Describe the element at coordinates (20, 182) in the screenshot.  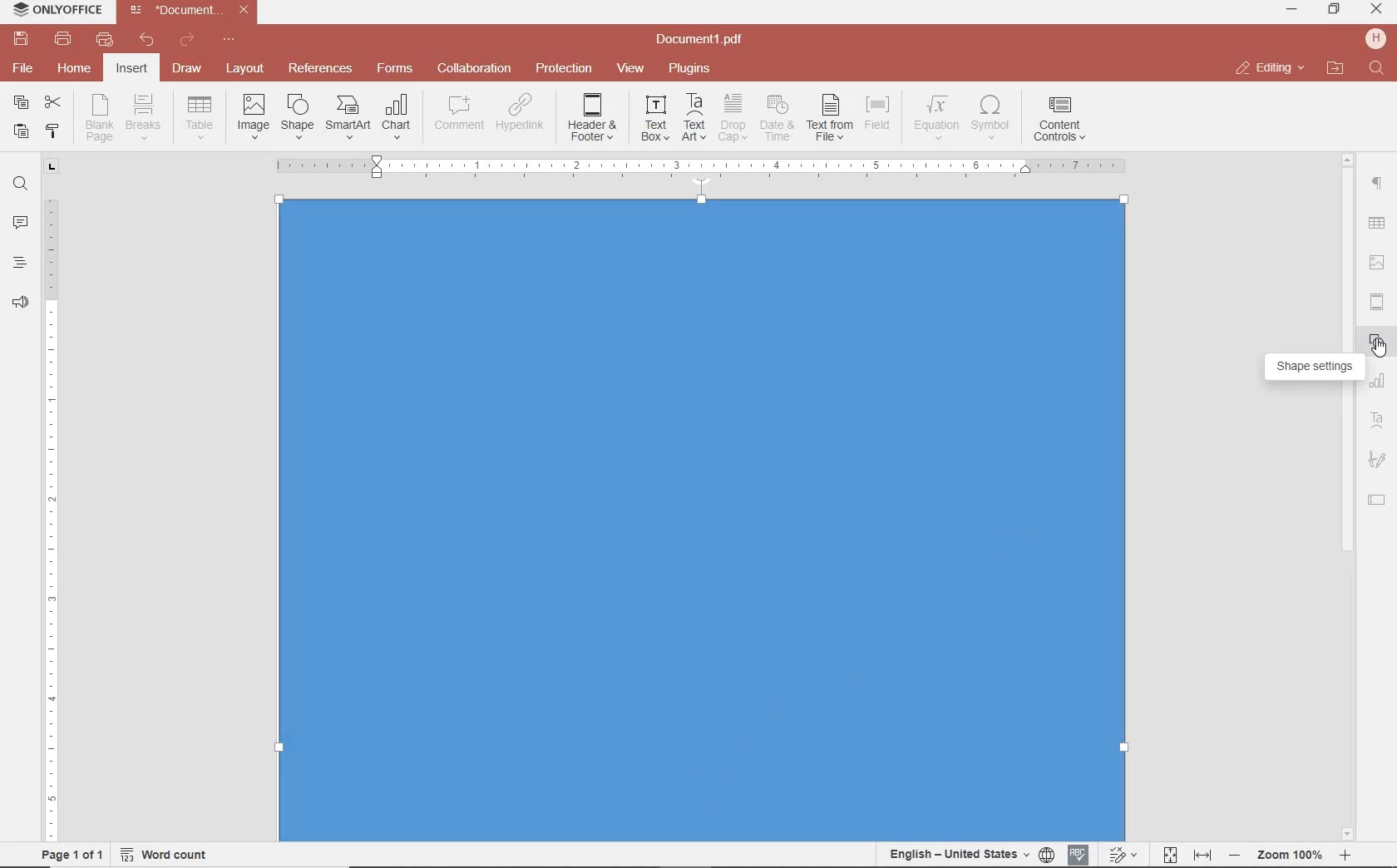
I see `find` at that location.